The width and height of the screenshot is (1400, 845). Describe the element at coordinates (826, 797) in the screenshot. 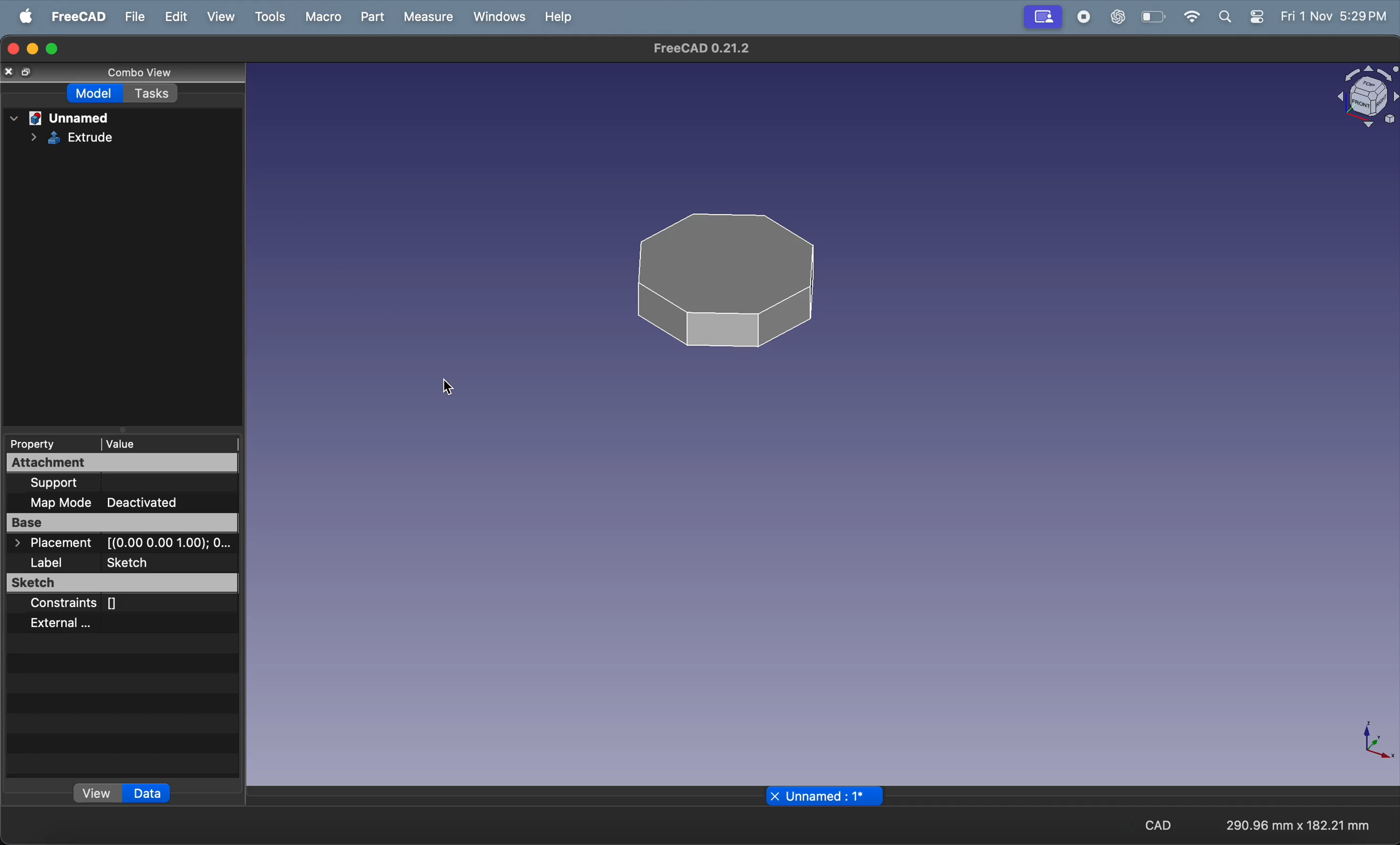

I see `unnamed page name` at that location.